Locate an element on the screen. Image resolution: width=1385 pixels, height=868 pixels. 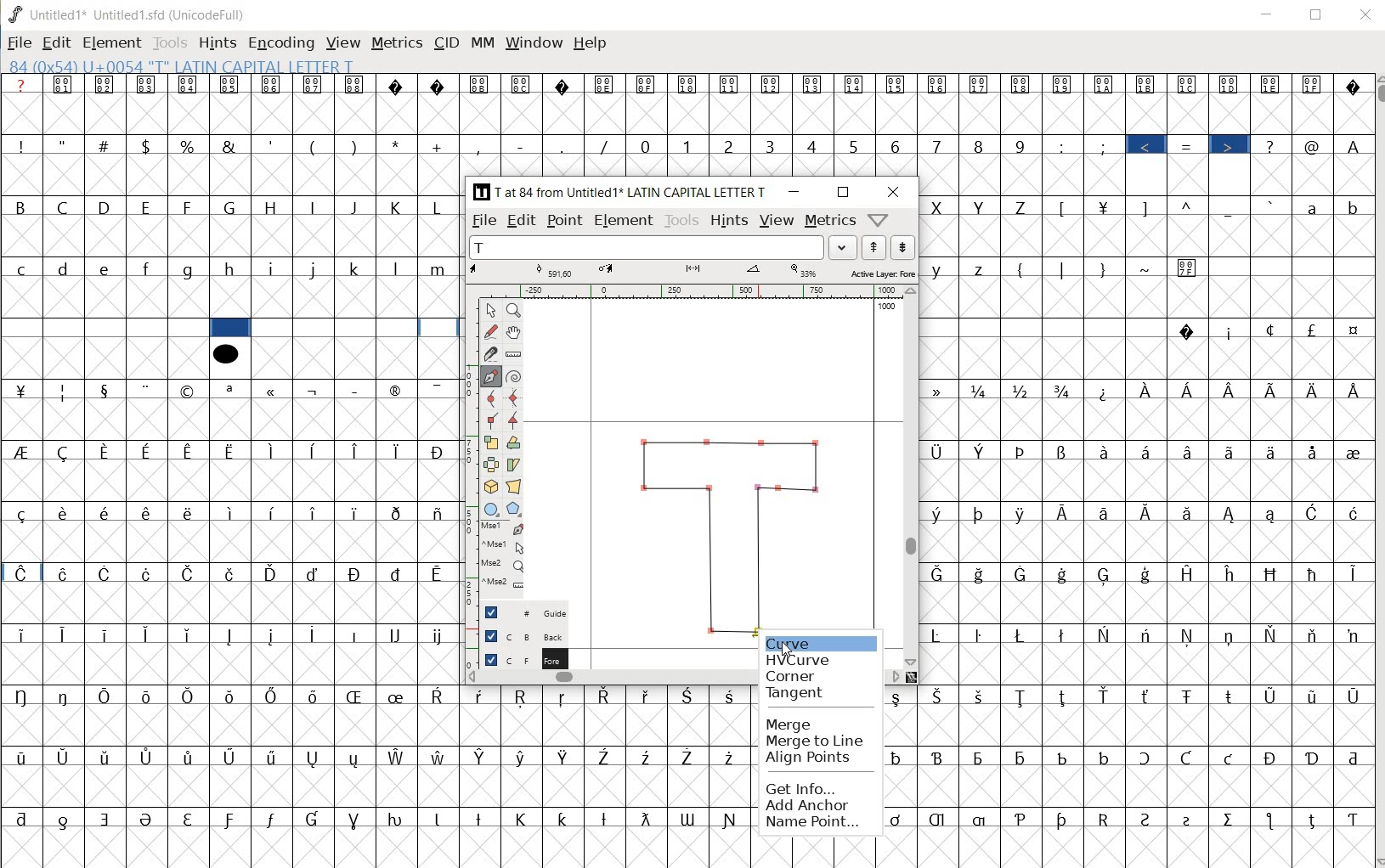
0 is located at coordinates (647, 146).